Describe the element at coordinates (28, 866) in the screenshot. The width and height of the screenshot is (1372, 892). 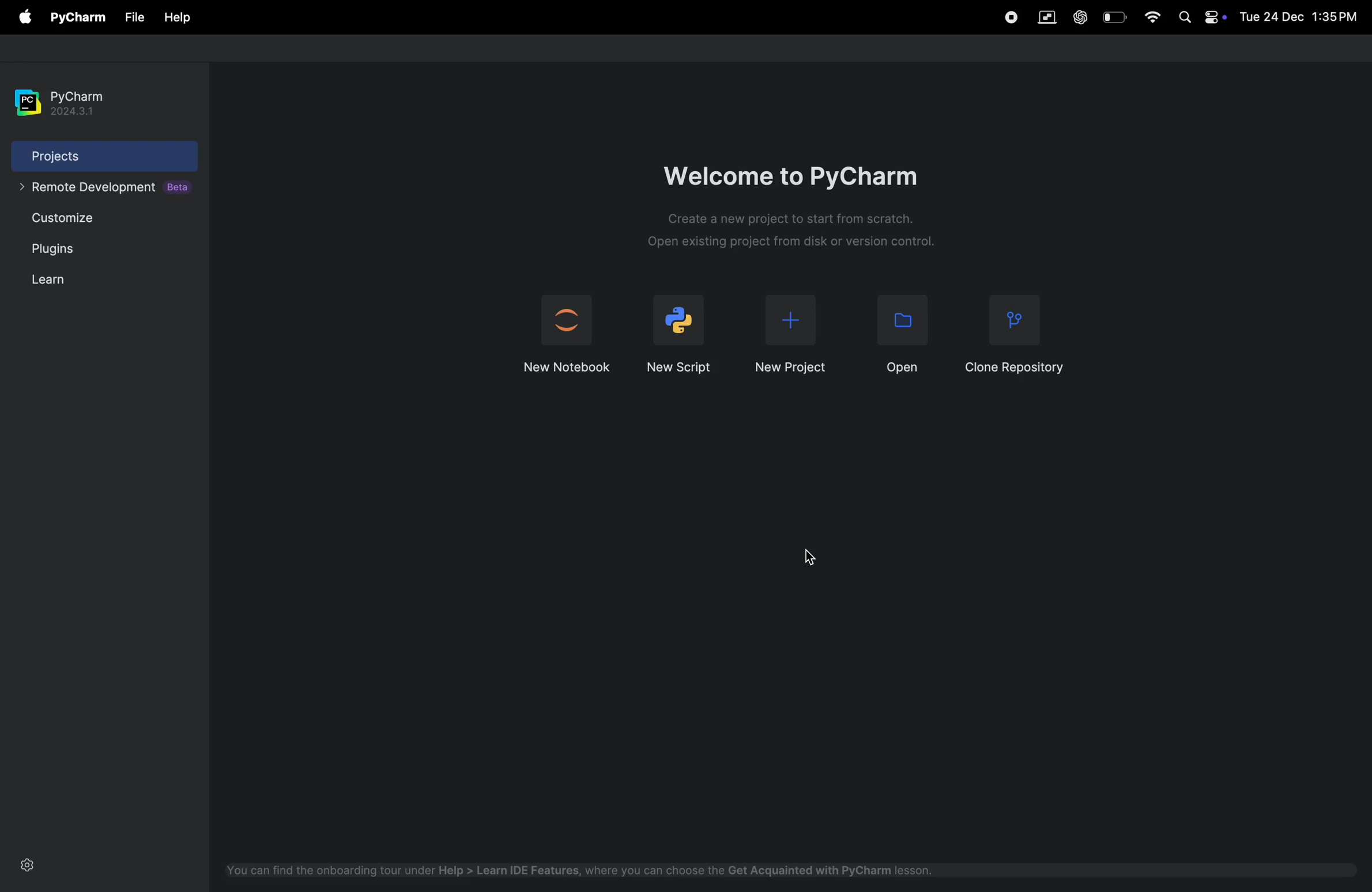
I see `settings` at that location.